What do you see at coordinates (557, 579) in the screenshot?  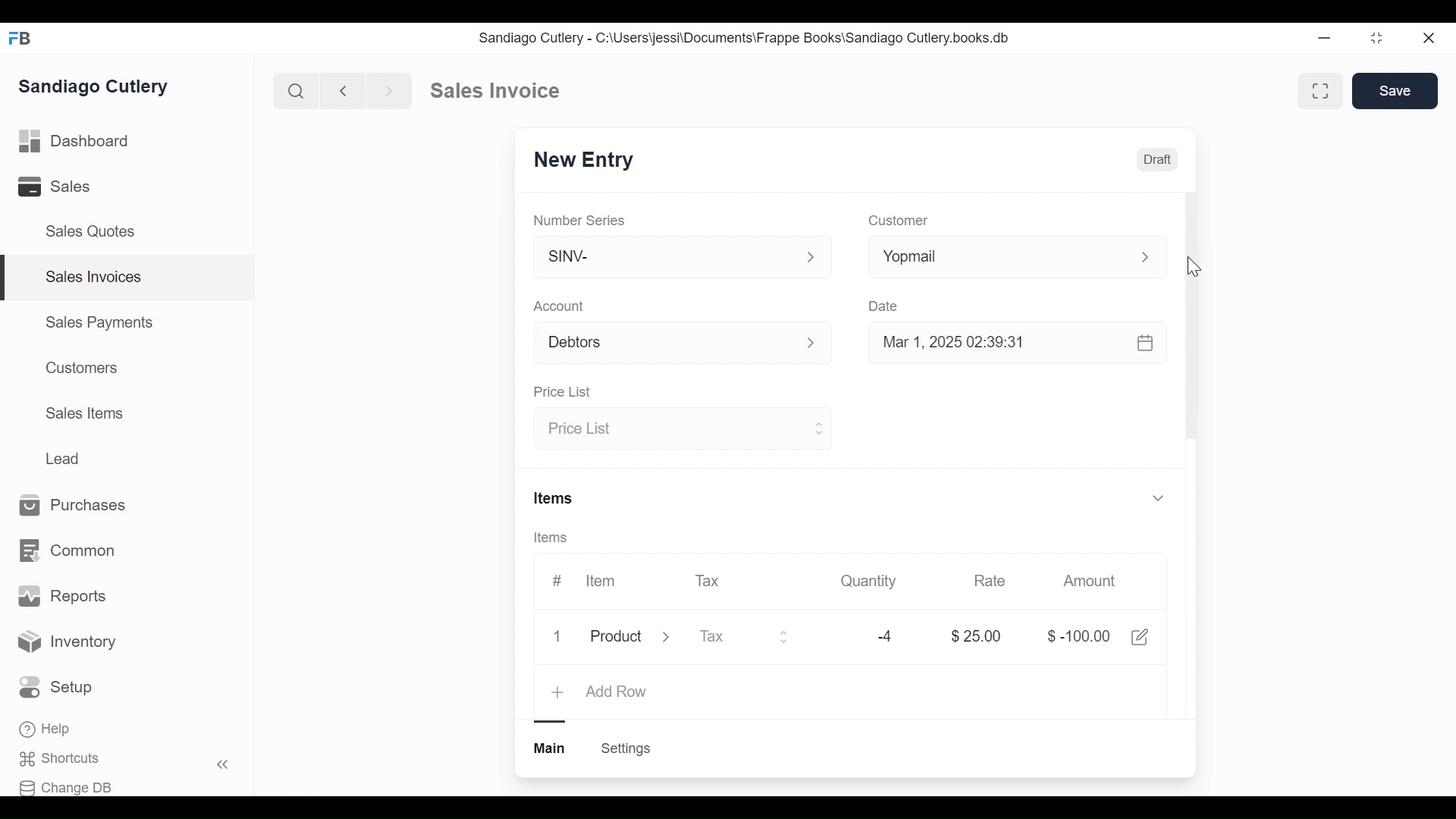 I see `#` at bounding box center [557, 579].